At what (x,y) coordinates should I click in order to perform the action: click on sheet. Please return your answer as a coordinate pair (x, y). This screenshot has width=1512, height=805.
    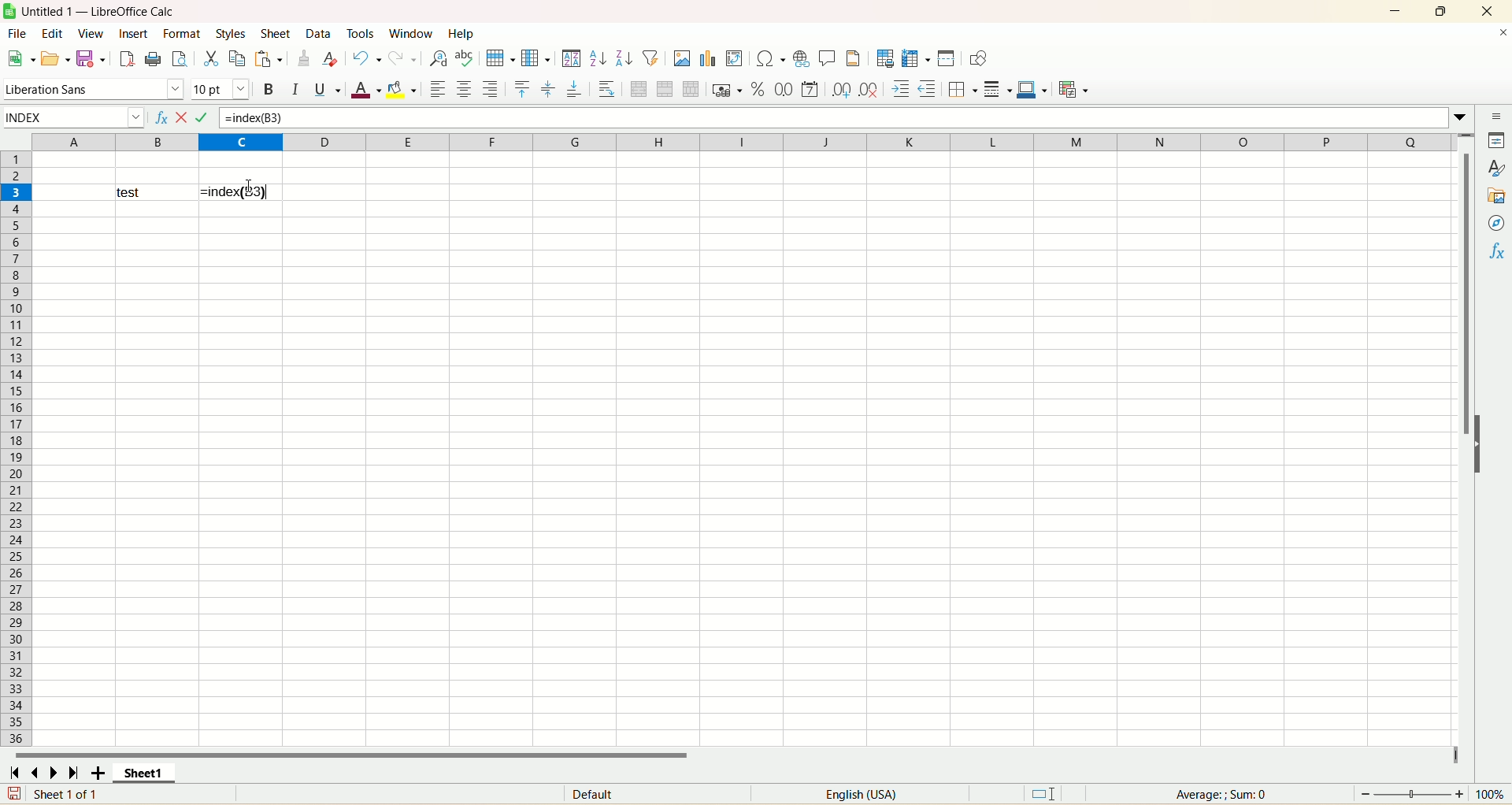
    Looking at the image, I should click on (276, 33).